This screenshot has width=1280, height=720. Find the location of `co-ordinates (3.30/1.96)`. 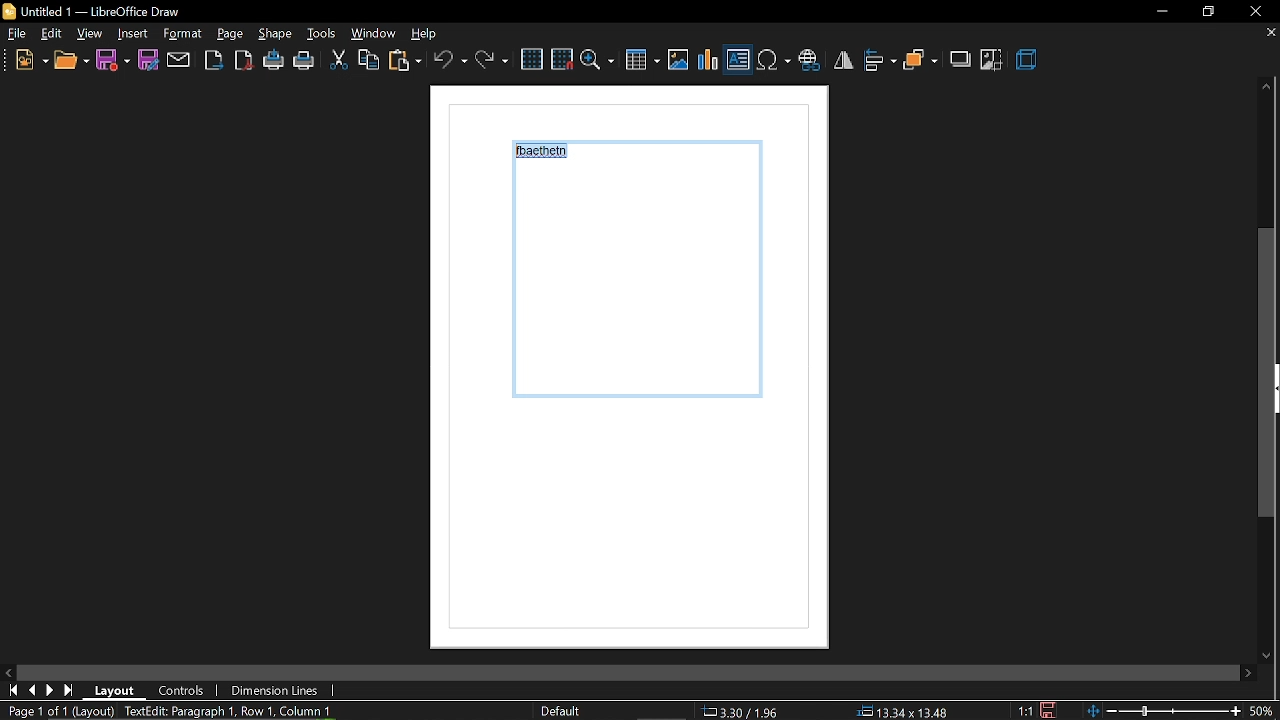

co-ordinates (3.30/1.96) is located at coordinates (738, 711).